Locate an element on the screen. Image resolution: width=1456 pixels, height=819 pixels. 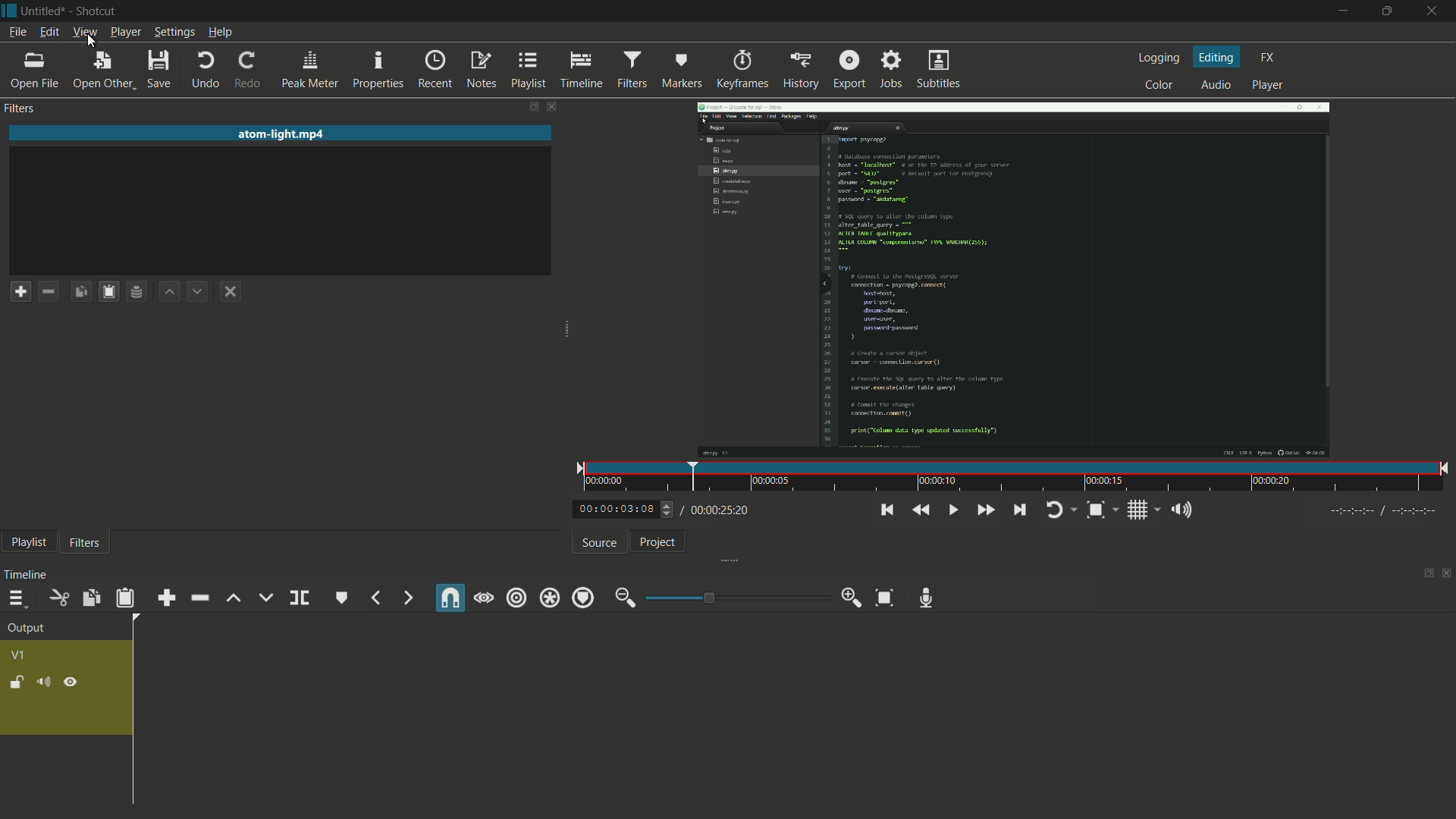
player is located at coordinates (126, 32).